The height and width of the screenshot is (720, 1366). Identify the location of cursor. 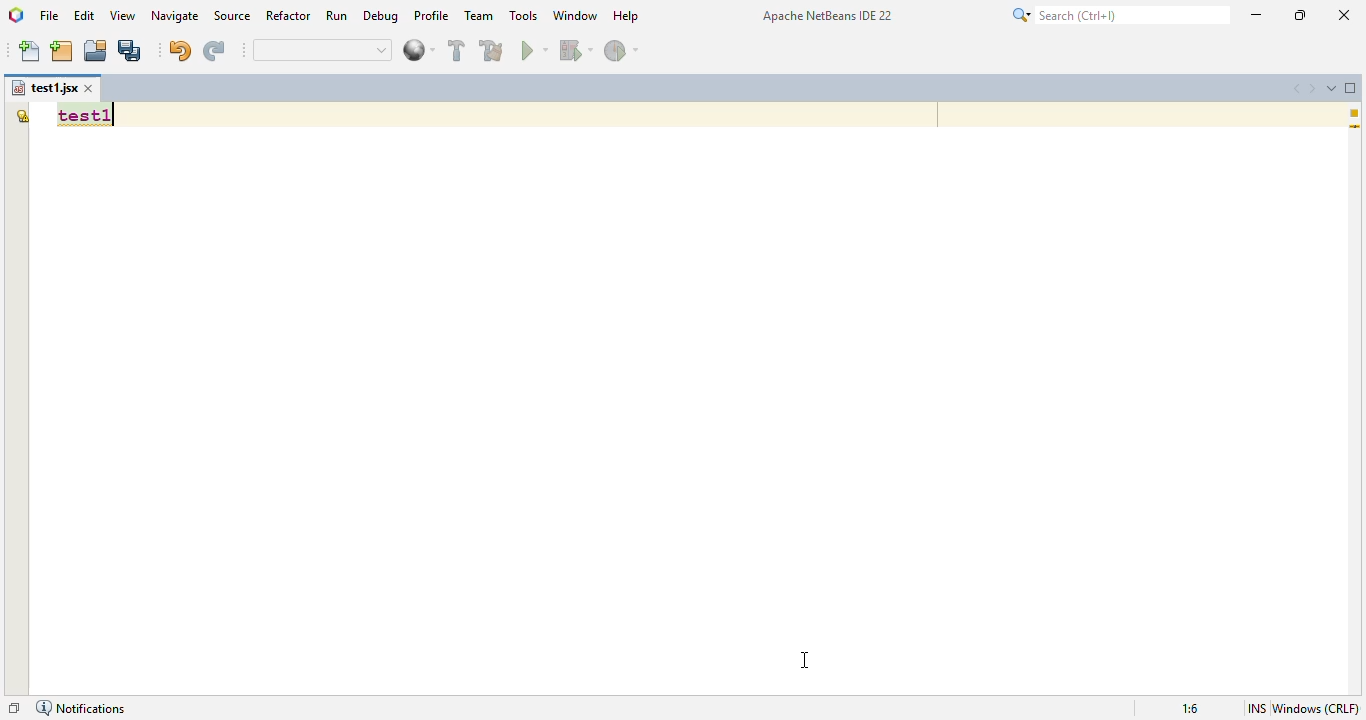
(805, 660).